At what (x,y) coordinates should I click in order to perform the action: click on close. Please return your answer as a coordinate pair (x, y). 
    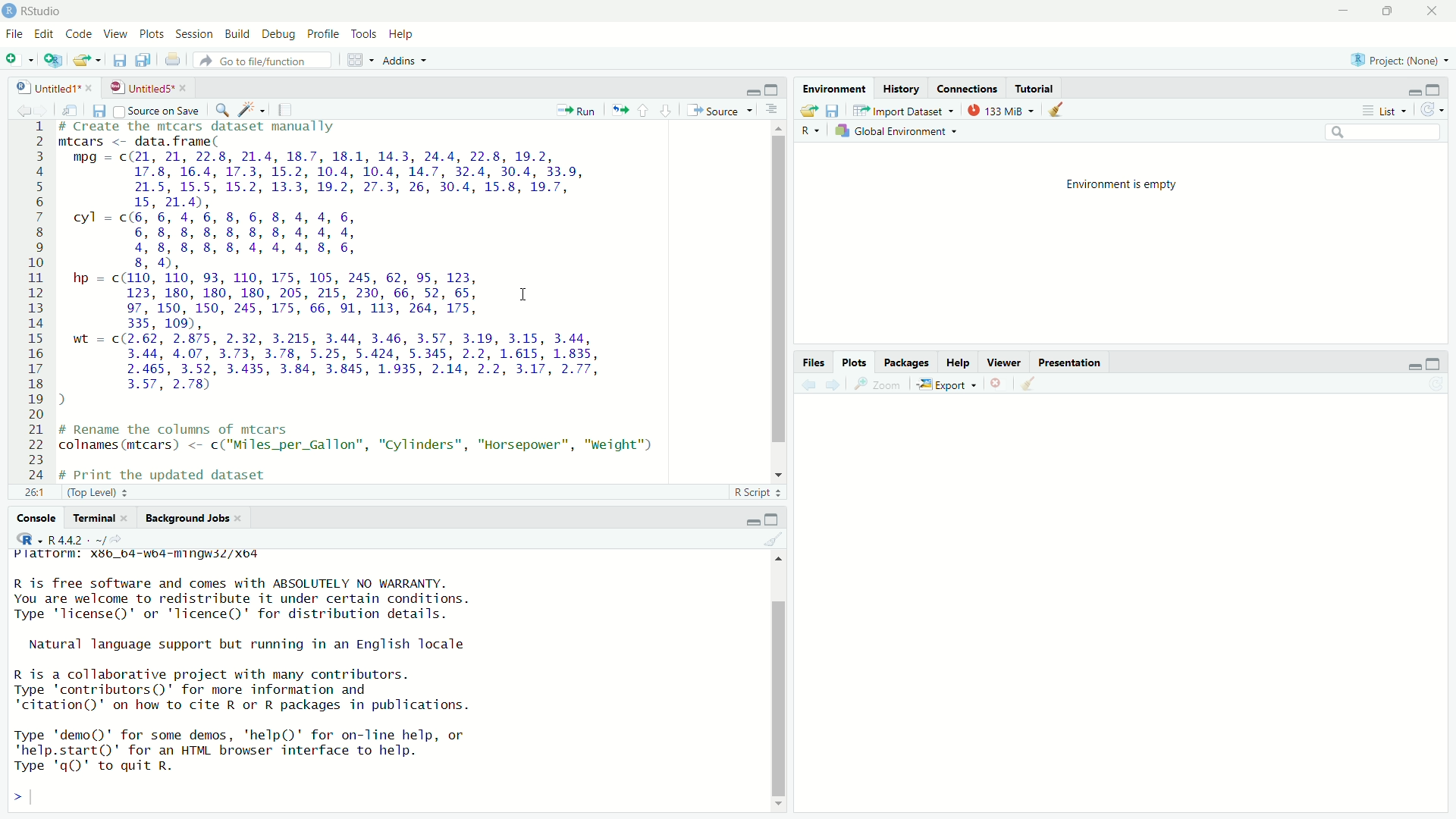
    Looking at the image, I should click on (1430, 10).